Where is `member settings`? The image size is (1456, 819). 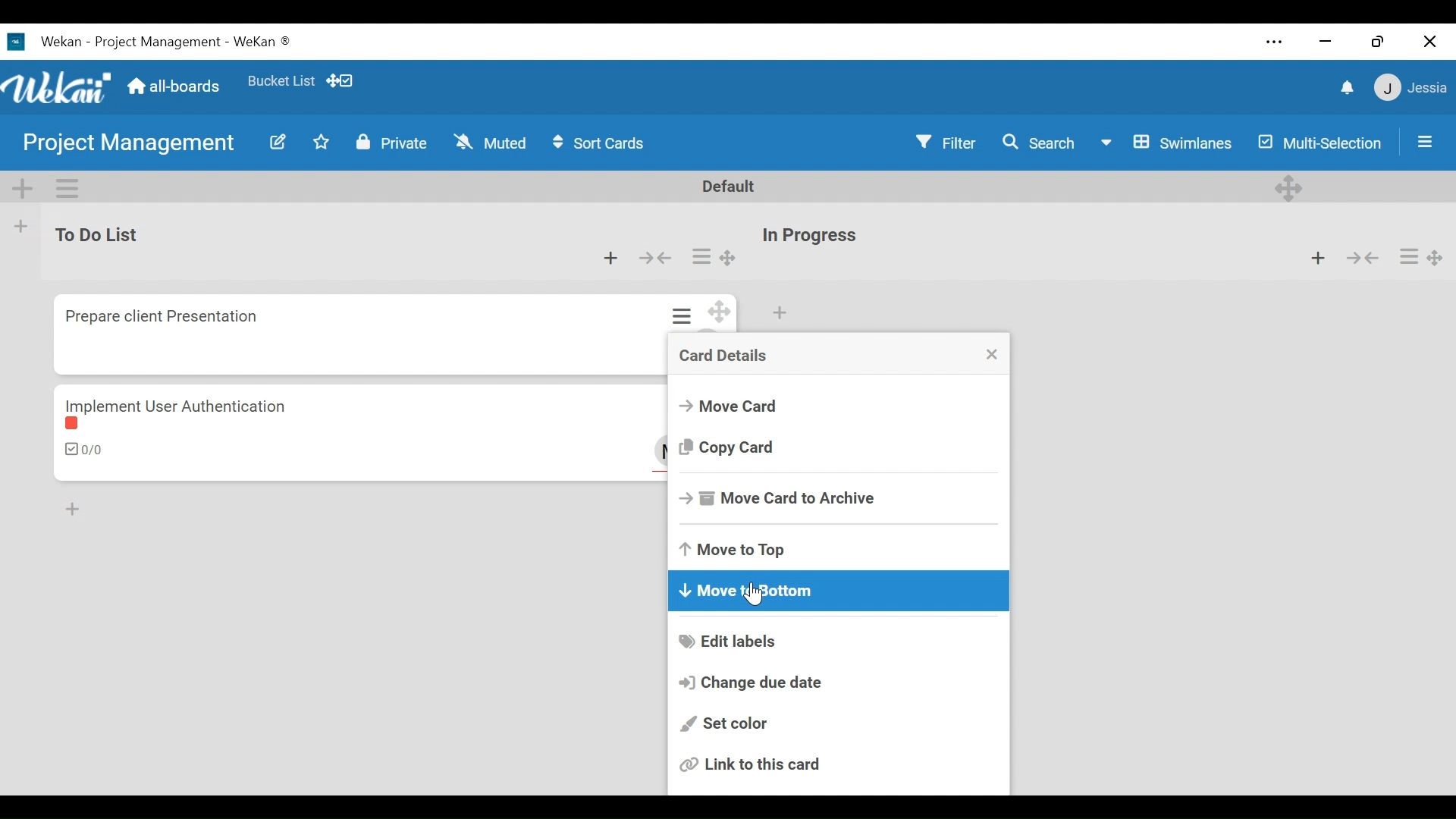 member settings is located at coordinates (1410, 85).